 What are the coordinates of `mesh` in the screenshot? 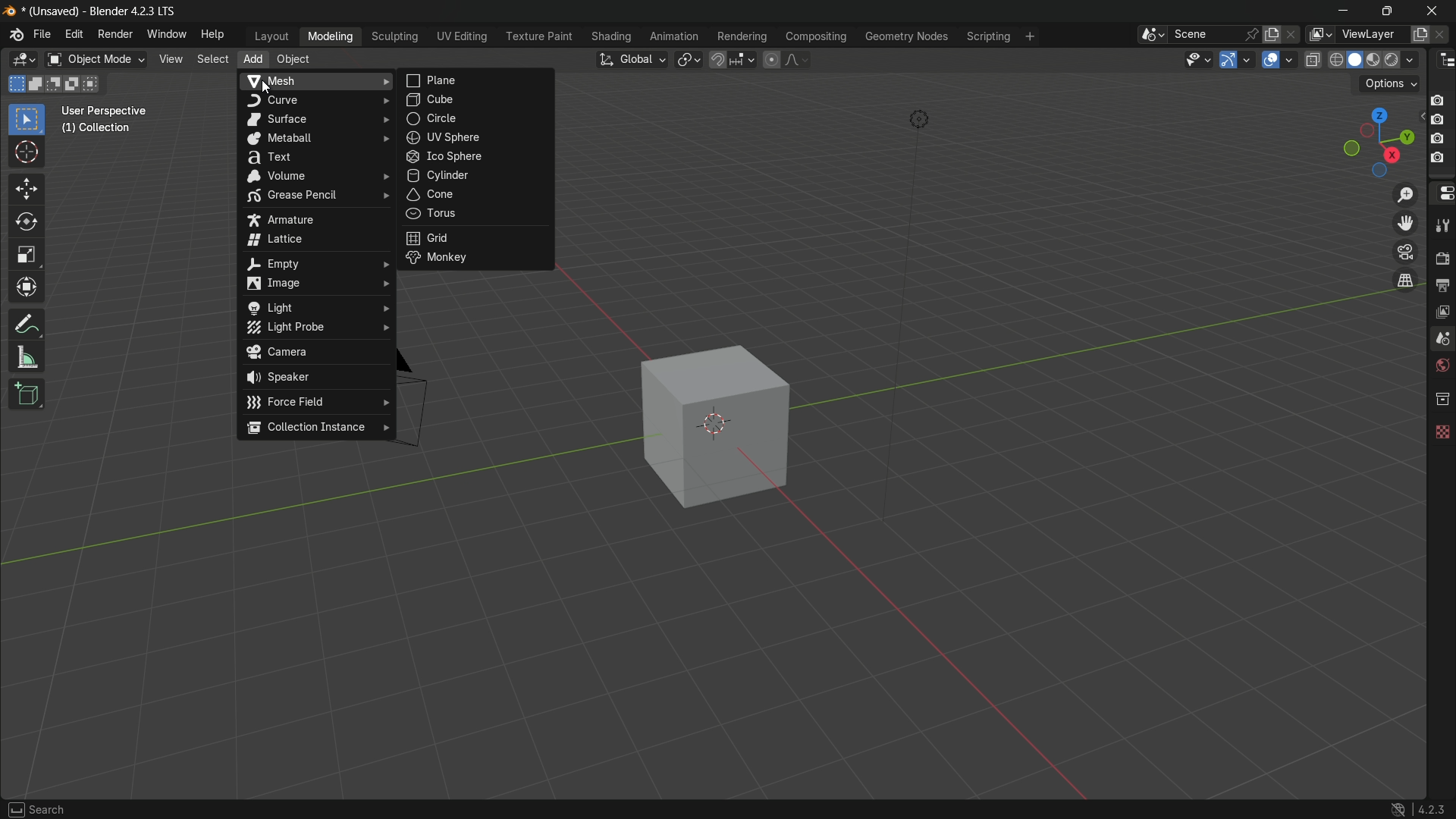 It's located at (316, 80).